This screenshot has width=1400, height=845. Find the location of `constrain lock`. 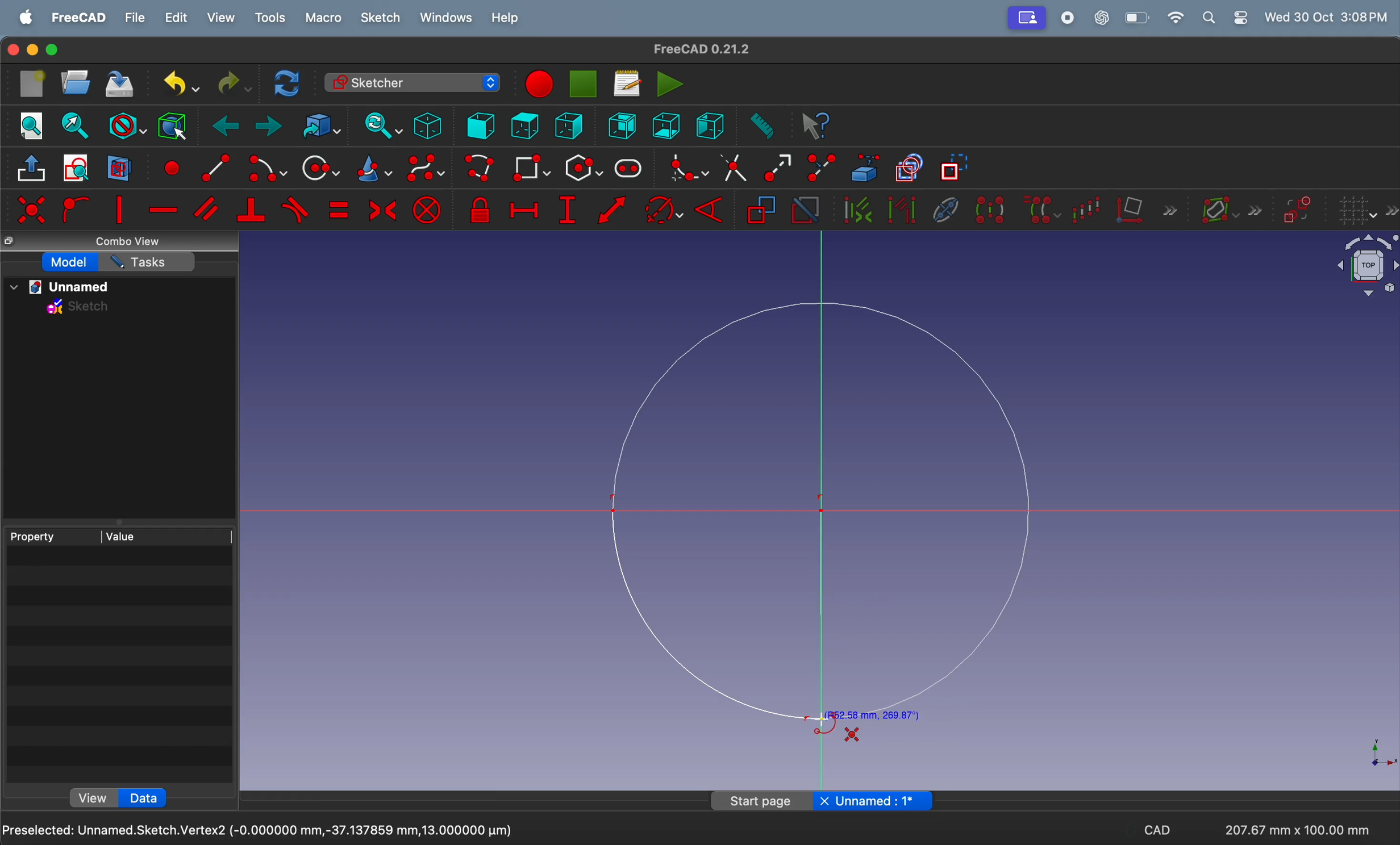

constrain lock is located at coordinates (482, 211).